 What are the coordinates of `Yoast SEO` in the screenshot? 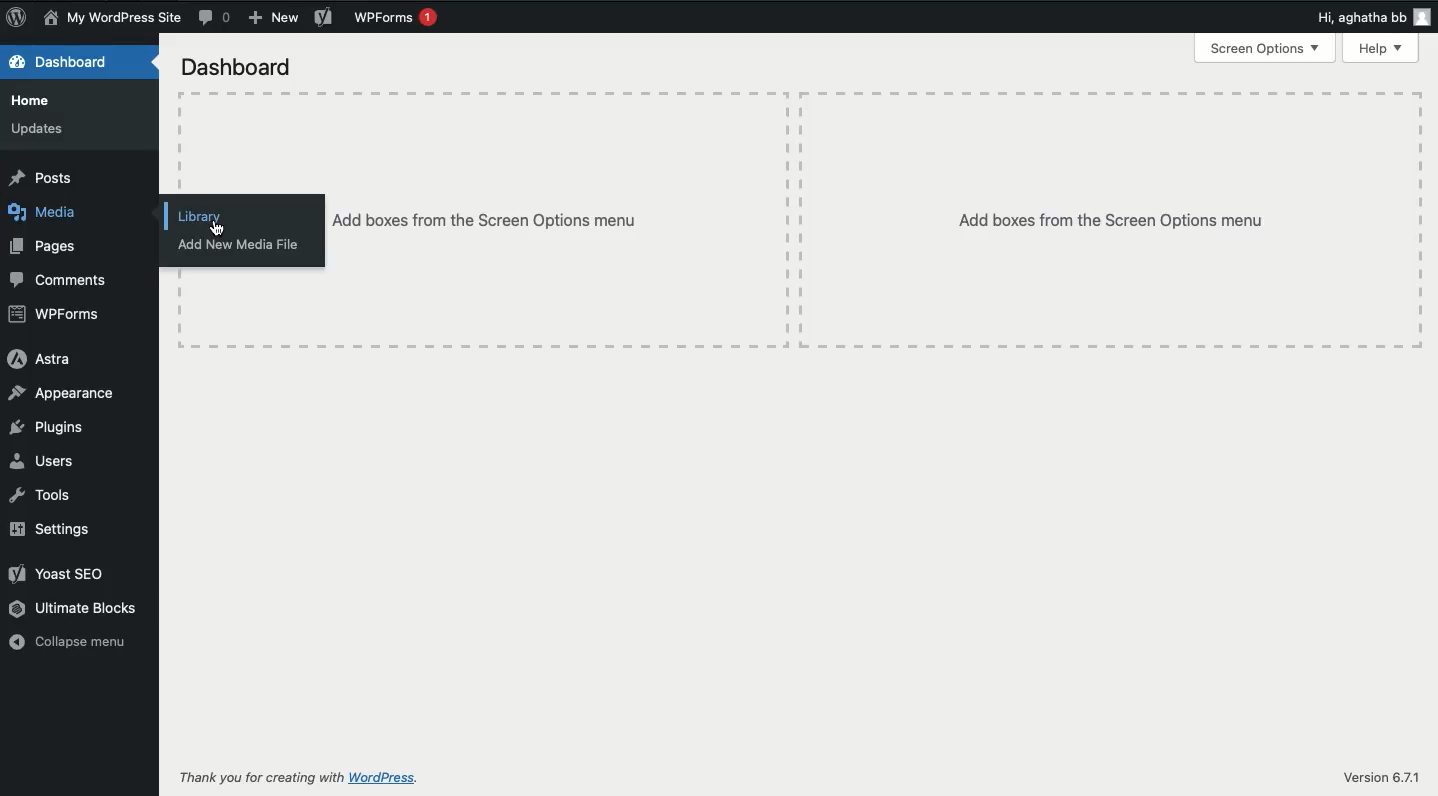 It's located at (60, 572).